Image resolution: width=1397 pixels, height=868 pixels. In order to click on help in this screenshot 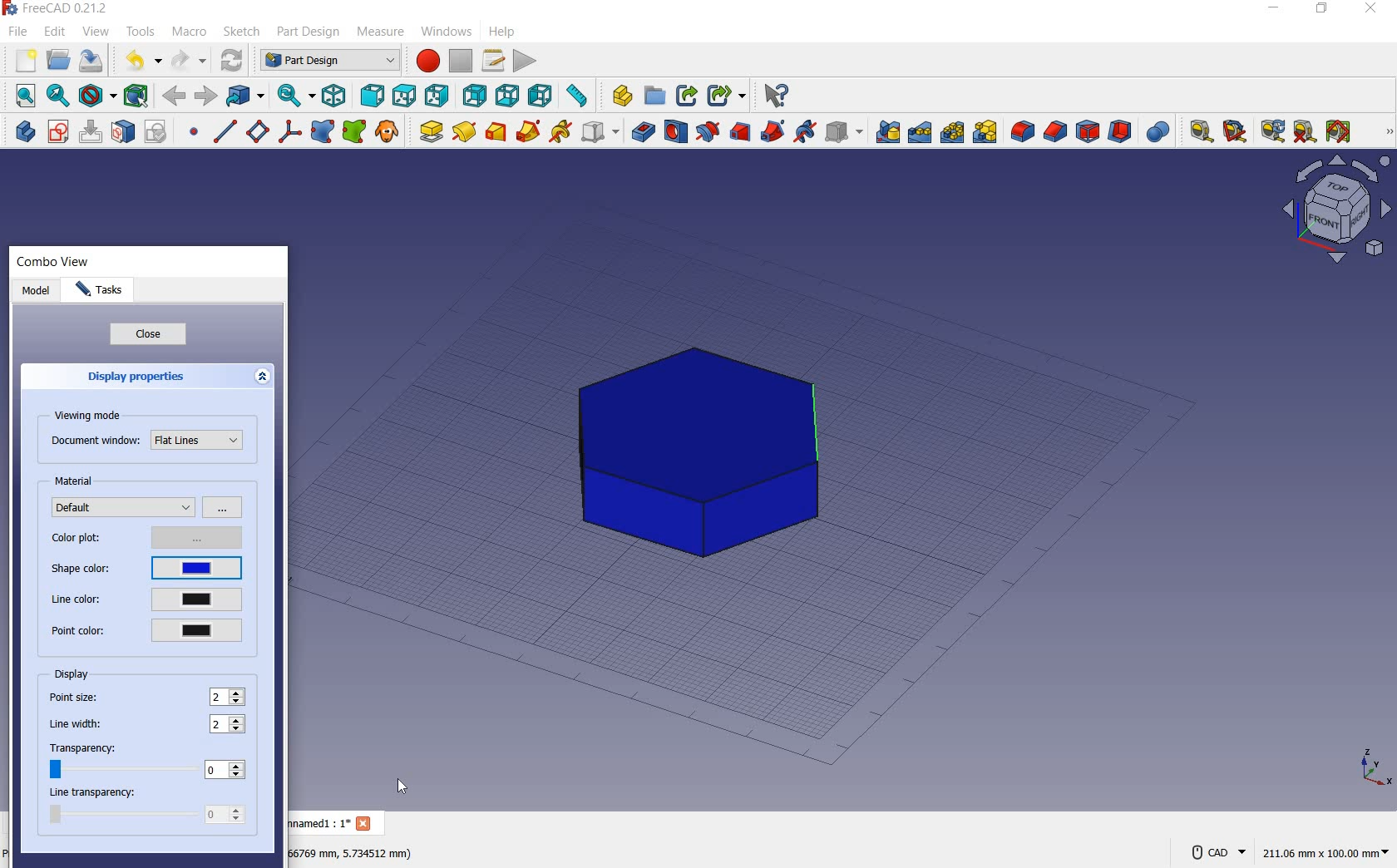, I will do `click(511, 32)`.